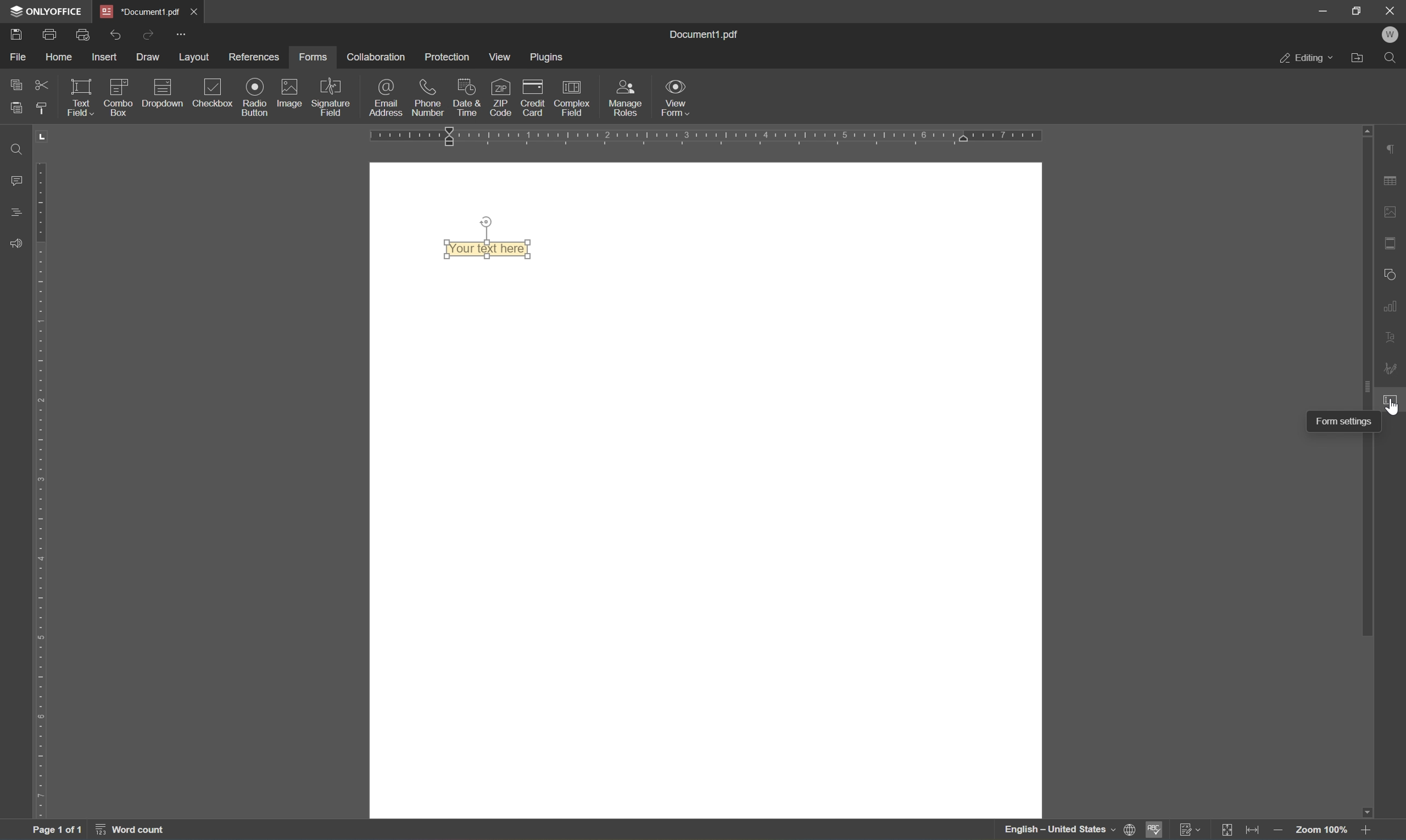 The width and height of the screenshot is (1406, 840). What do you see at coordinates (1392, 306) in the screenshot?
I see `chart settings` at bounding box center [1392, 306].